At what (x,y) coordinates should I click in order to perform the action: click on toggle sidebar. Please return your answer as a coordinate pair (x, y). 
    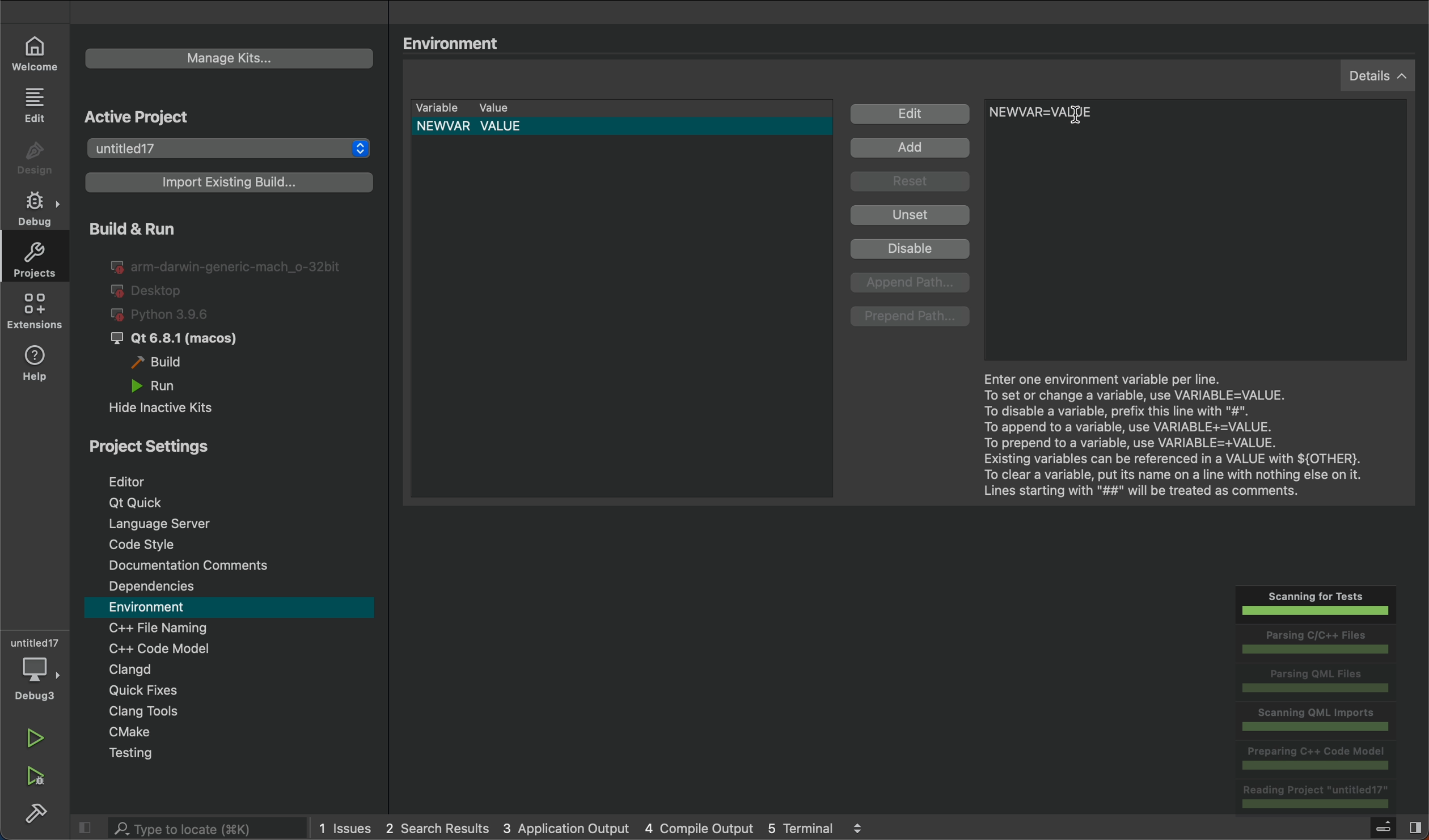
    Looking at the image, I should click on (1390, 827).